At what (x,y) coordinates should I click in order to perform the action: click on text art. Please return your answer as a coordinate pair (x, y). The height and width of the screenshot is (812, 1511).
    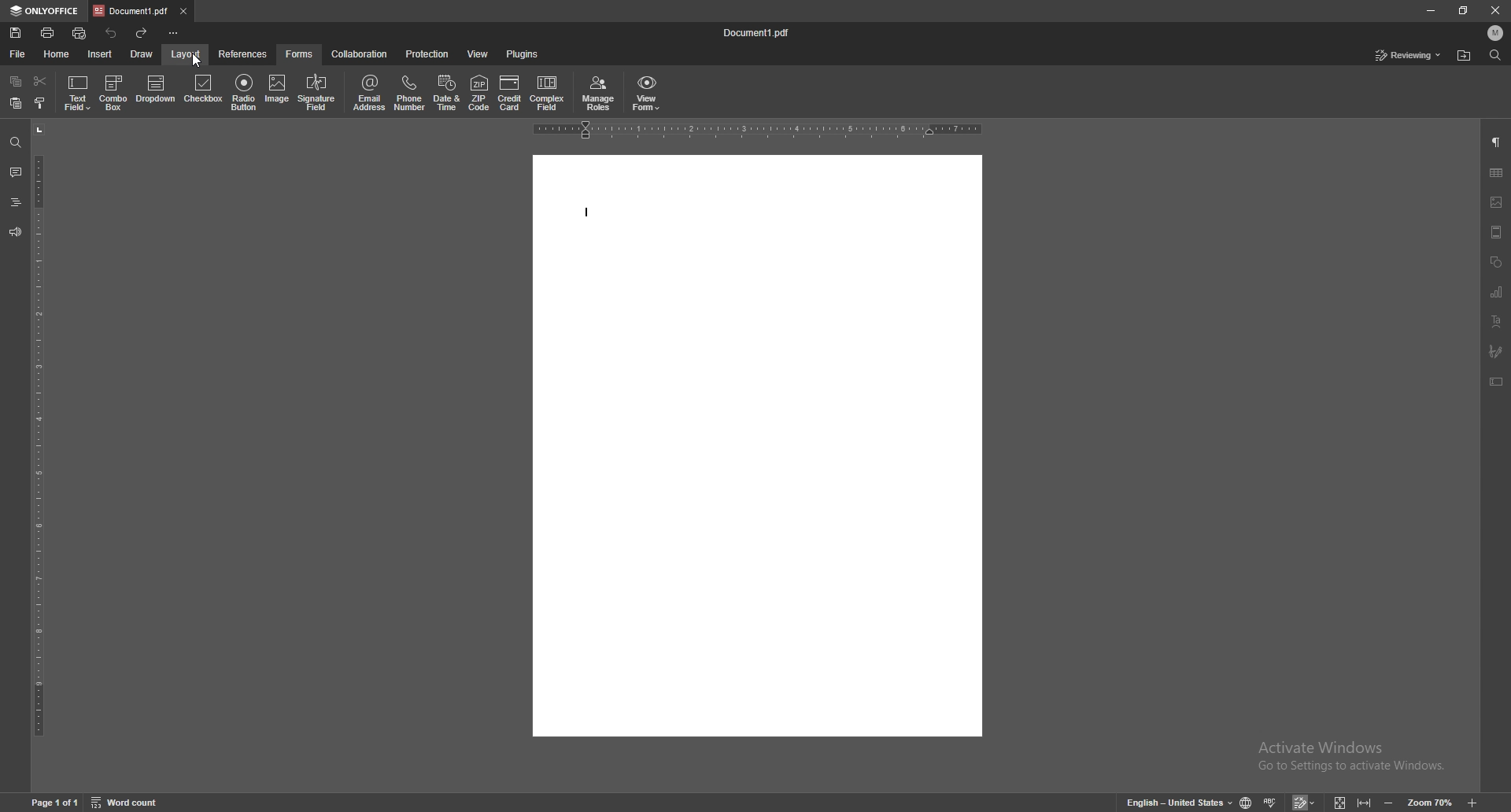
    Looking at the image, I should click on (1498, 321).